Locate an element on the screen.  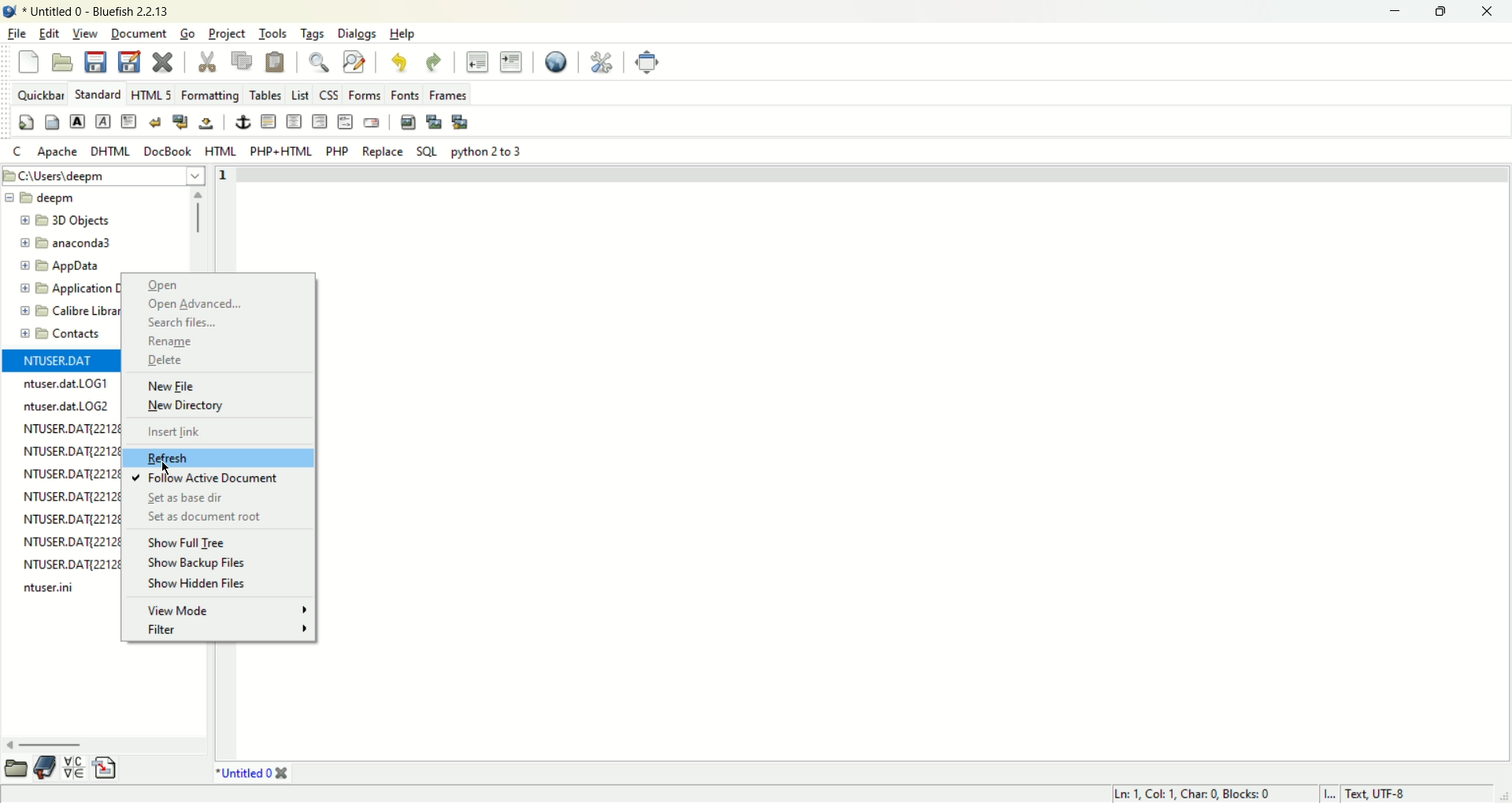
delete is located at coordinates (205, 362).